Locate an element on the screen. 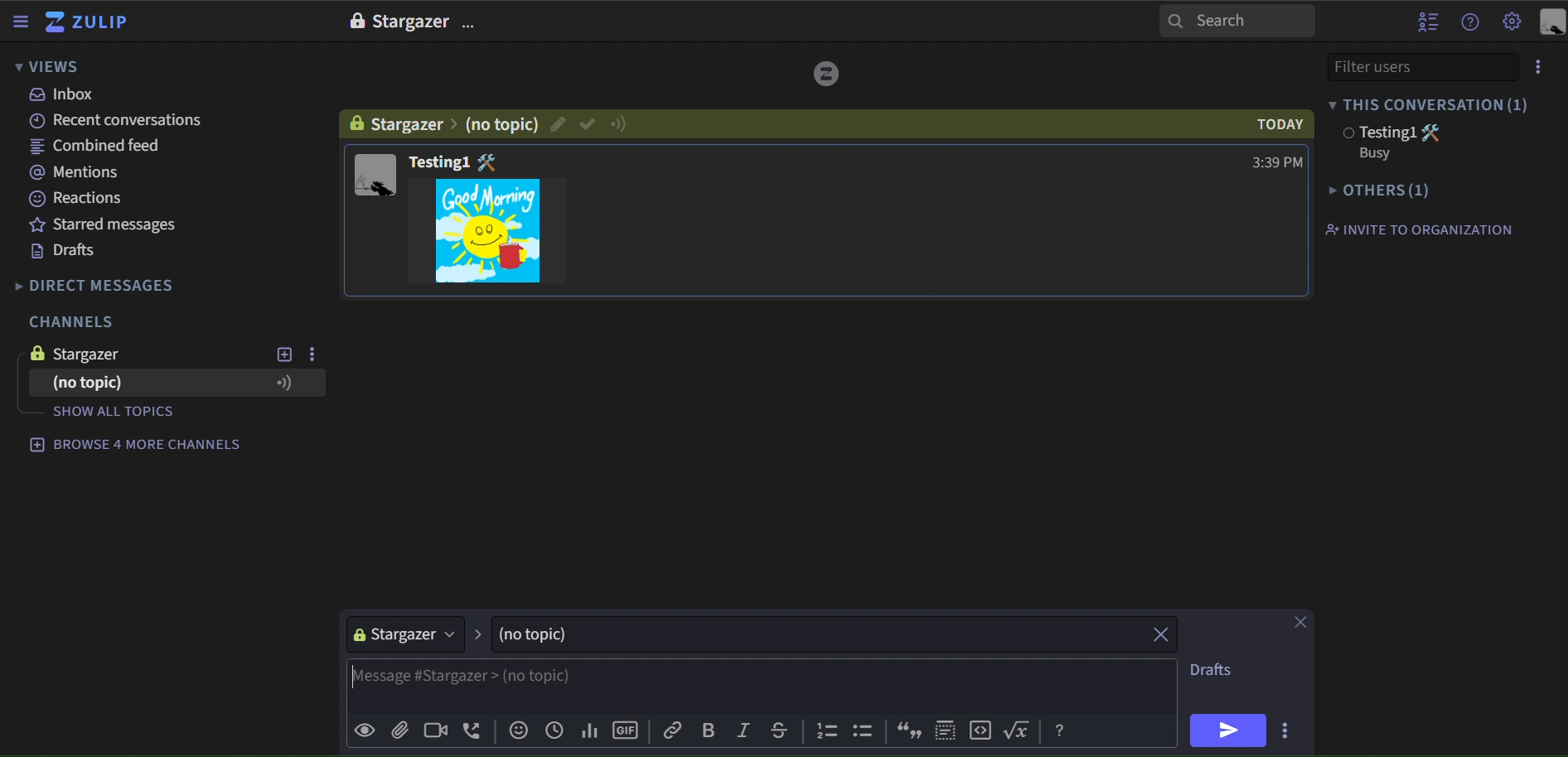 The height and width of the screenshot is (757, 1568). combined feed is located at coordinates (102, 149).